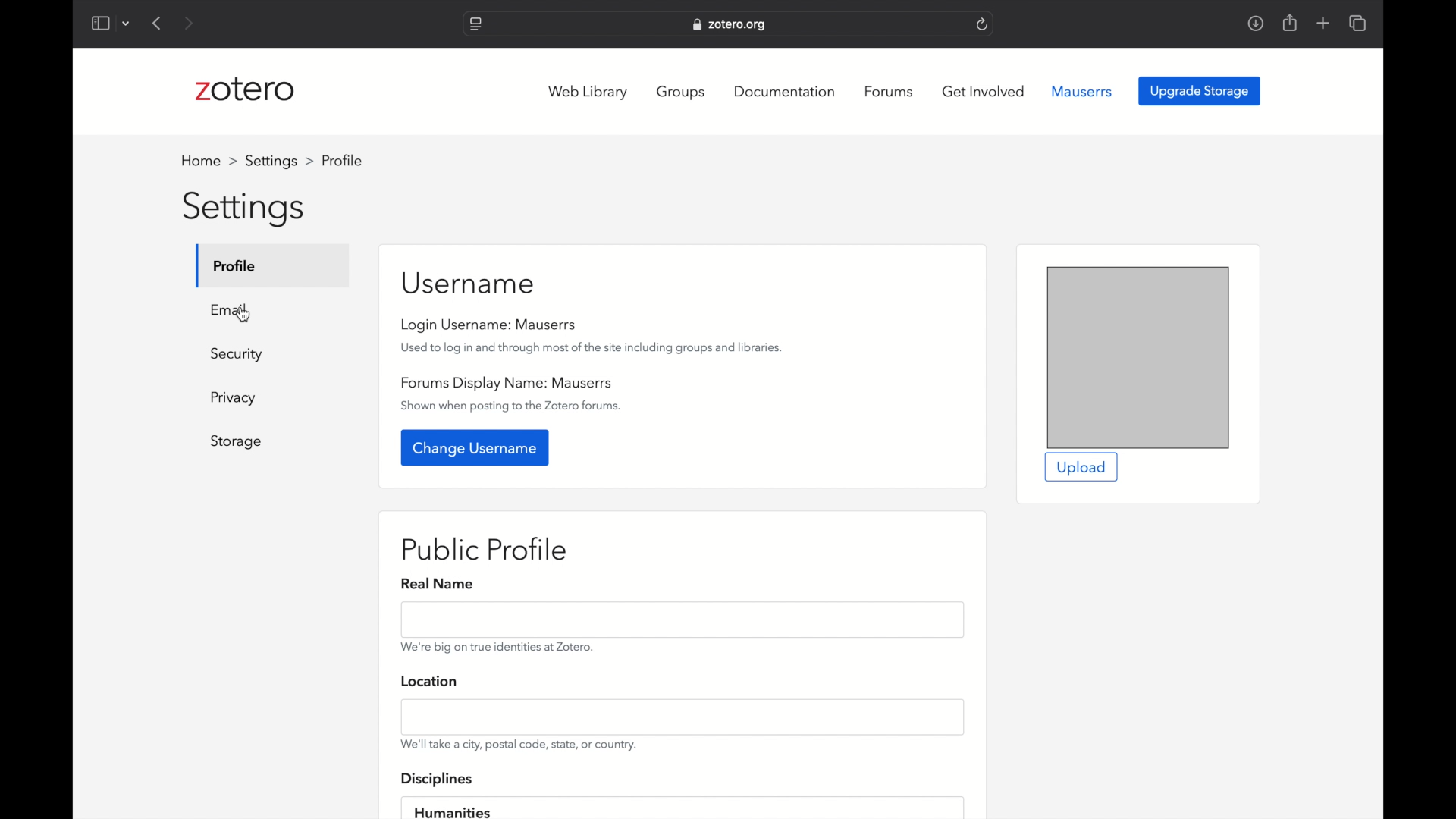  I want to click on forums, so click(891, 92).